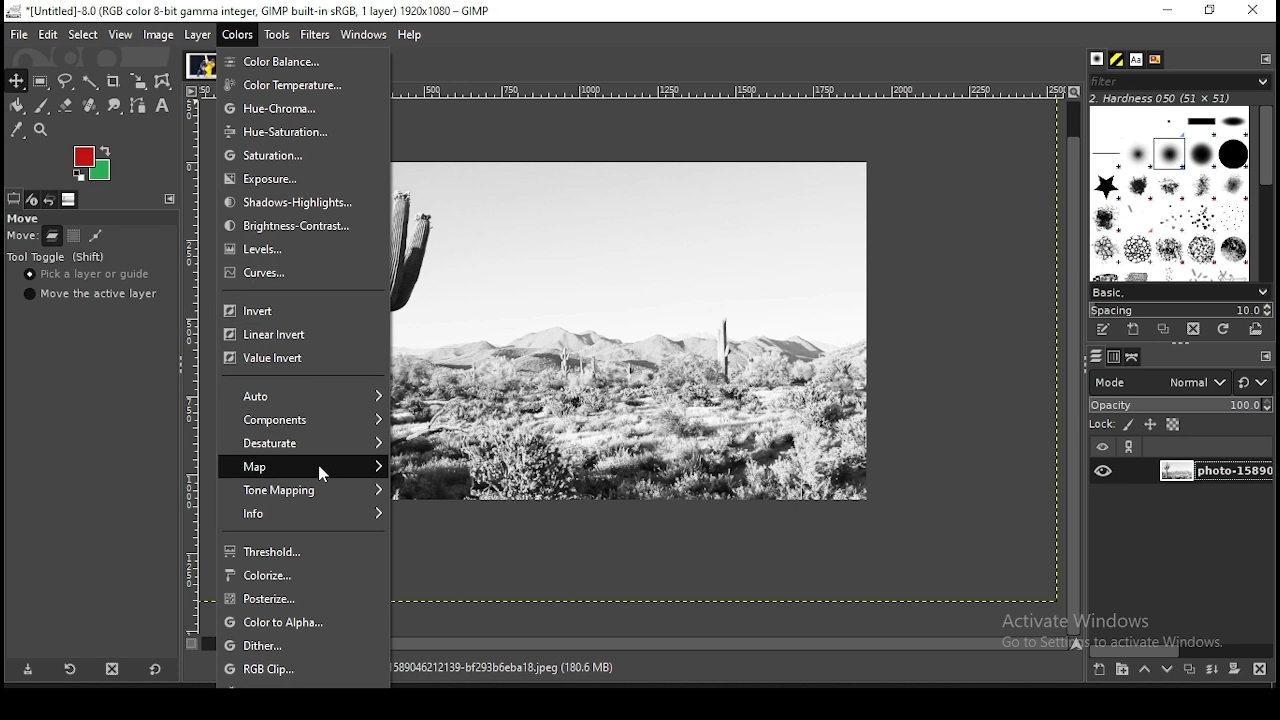  What do you see at coordinates (17, 106) in the screenshot?
I see `paint bucket tool` at bounding box center [17, 106].